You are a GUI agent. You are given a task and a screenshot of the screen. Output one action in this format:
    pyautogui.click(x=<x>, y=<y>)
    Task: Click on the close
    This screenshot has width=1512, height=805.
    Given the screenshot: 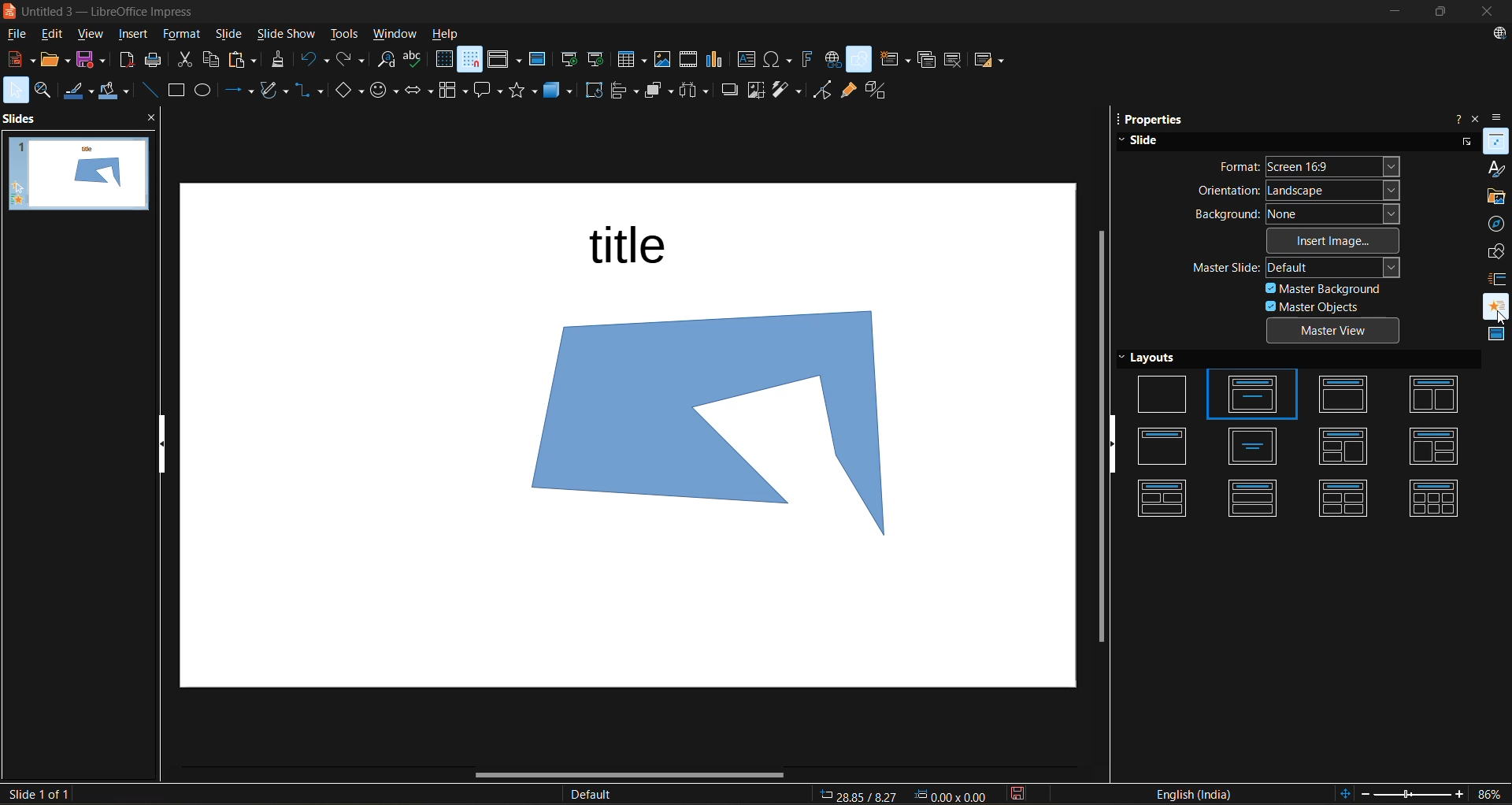 What is the action you would take?
    pyautogui.click(x=1490, y=13)
    